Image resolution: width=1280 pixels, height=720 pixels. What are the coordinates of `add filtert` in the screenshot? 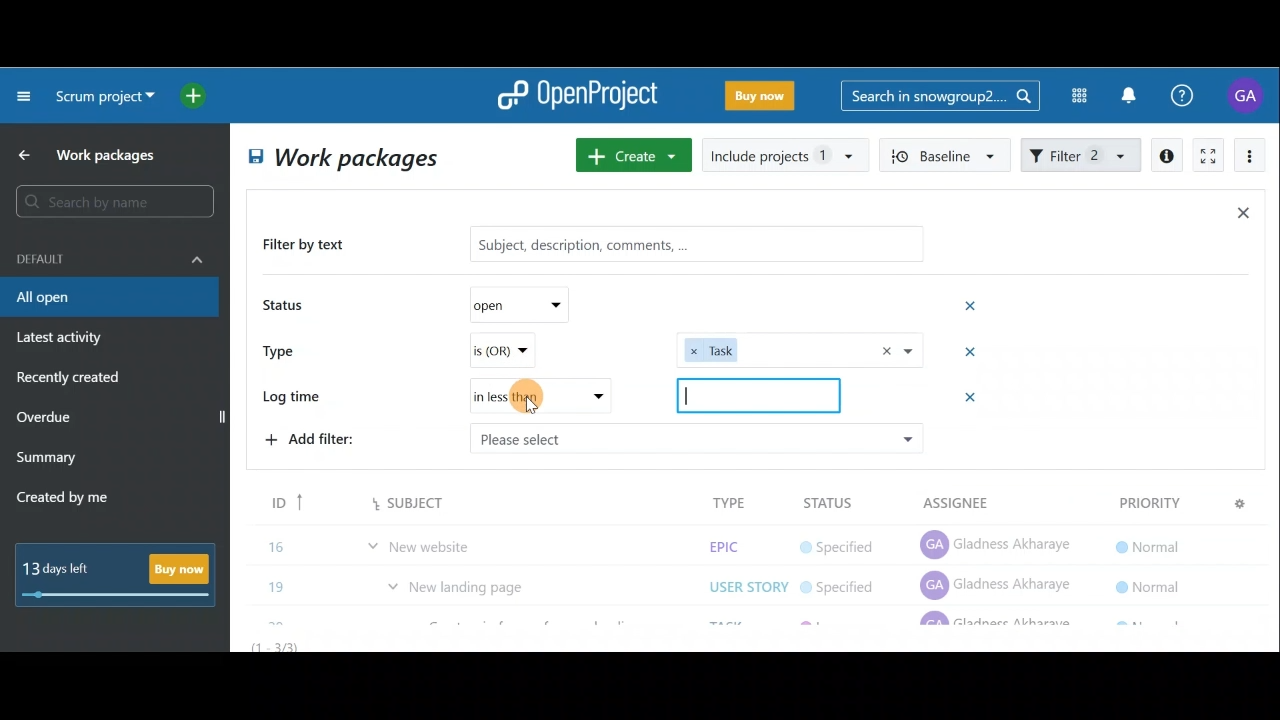 It's located at (330, 437).